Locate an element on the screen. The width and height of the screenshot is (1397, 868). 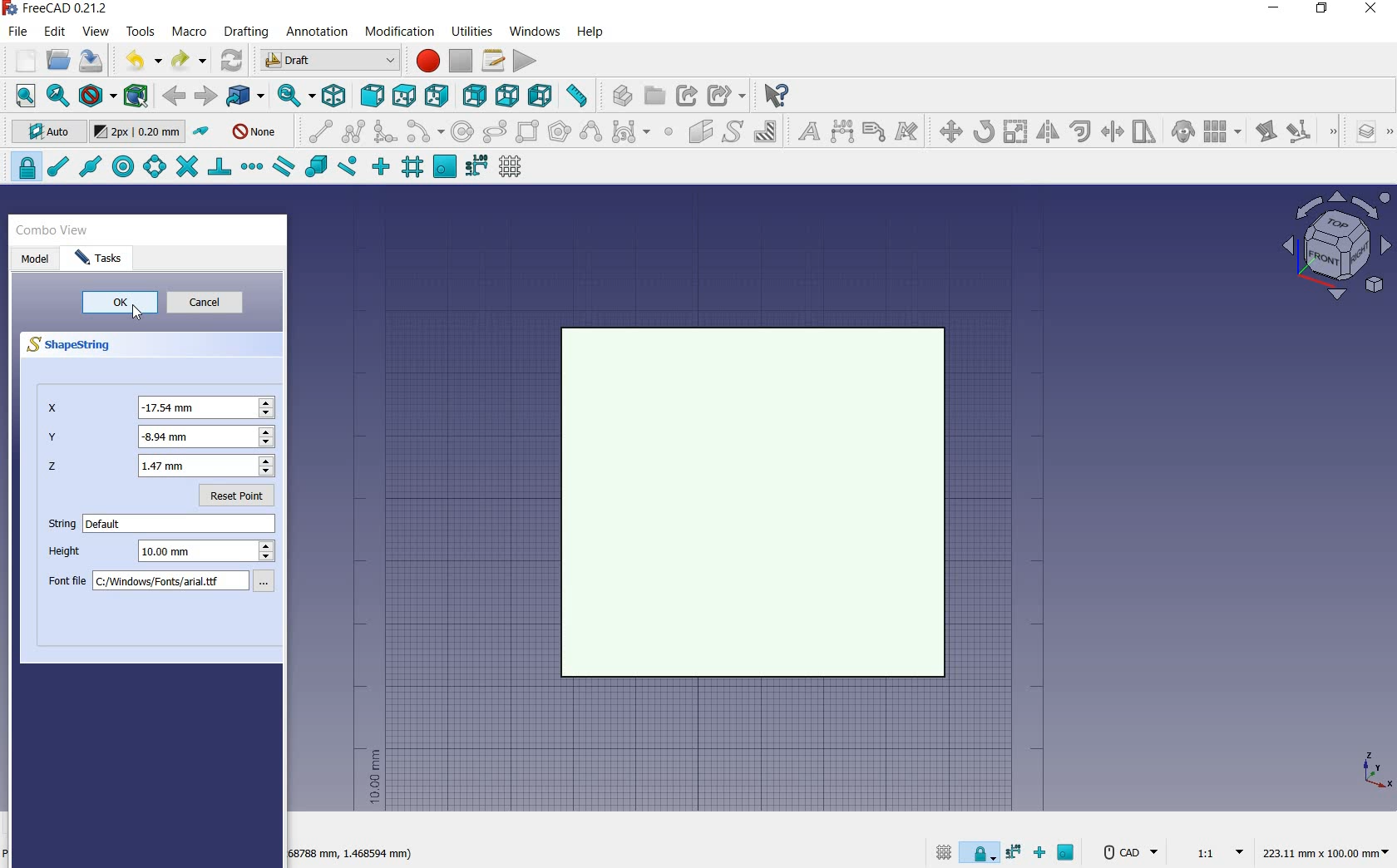
move is located at coordinates (946, 131).